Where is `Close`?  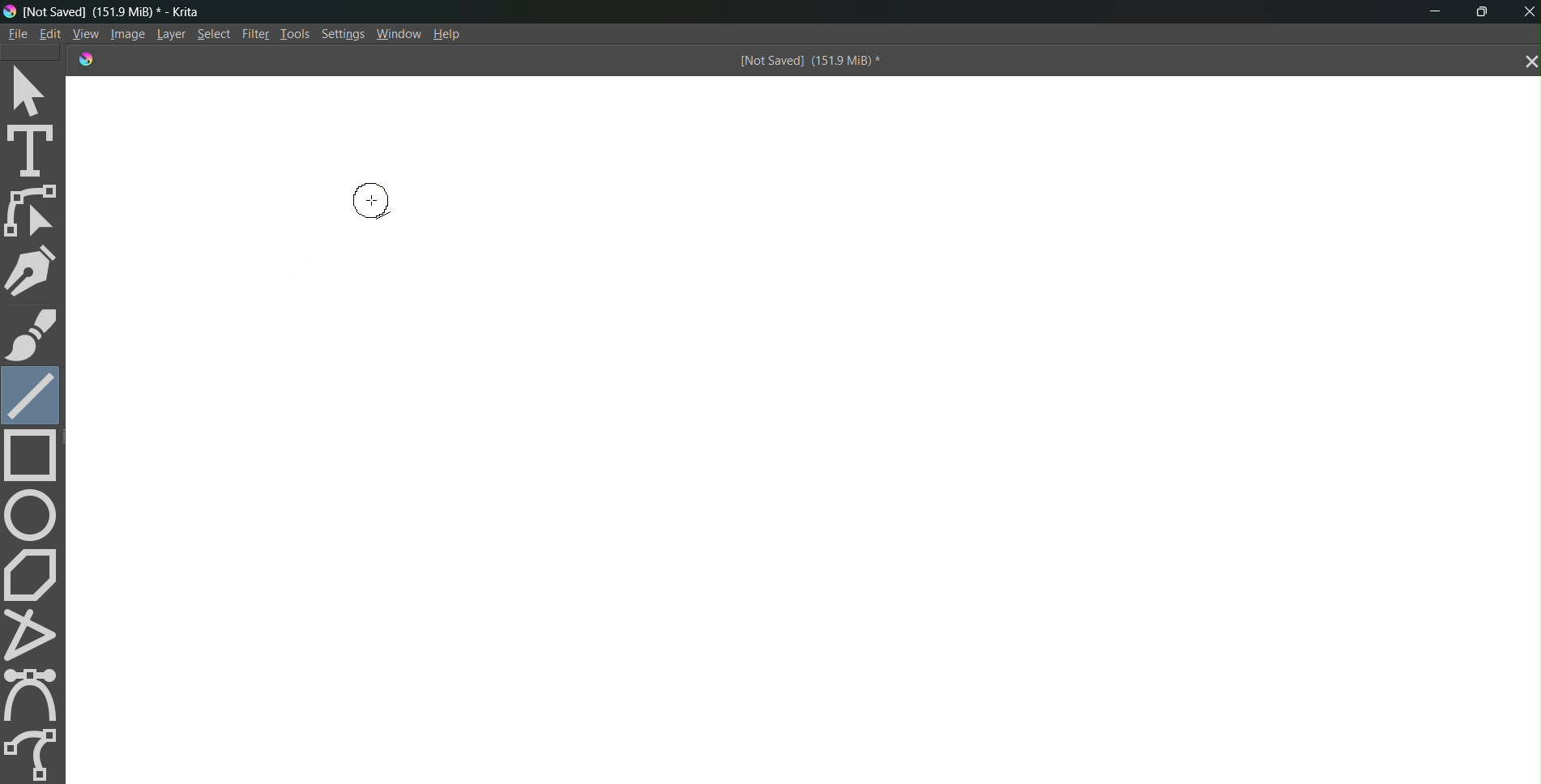 Close is located at coordinates (1526, 11).